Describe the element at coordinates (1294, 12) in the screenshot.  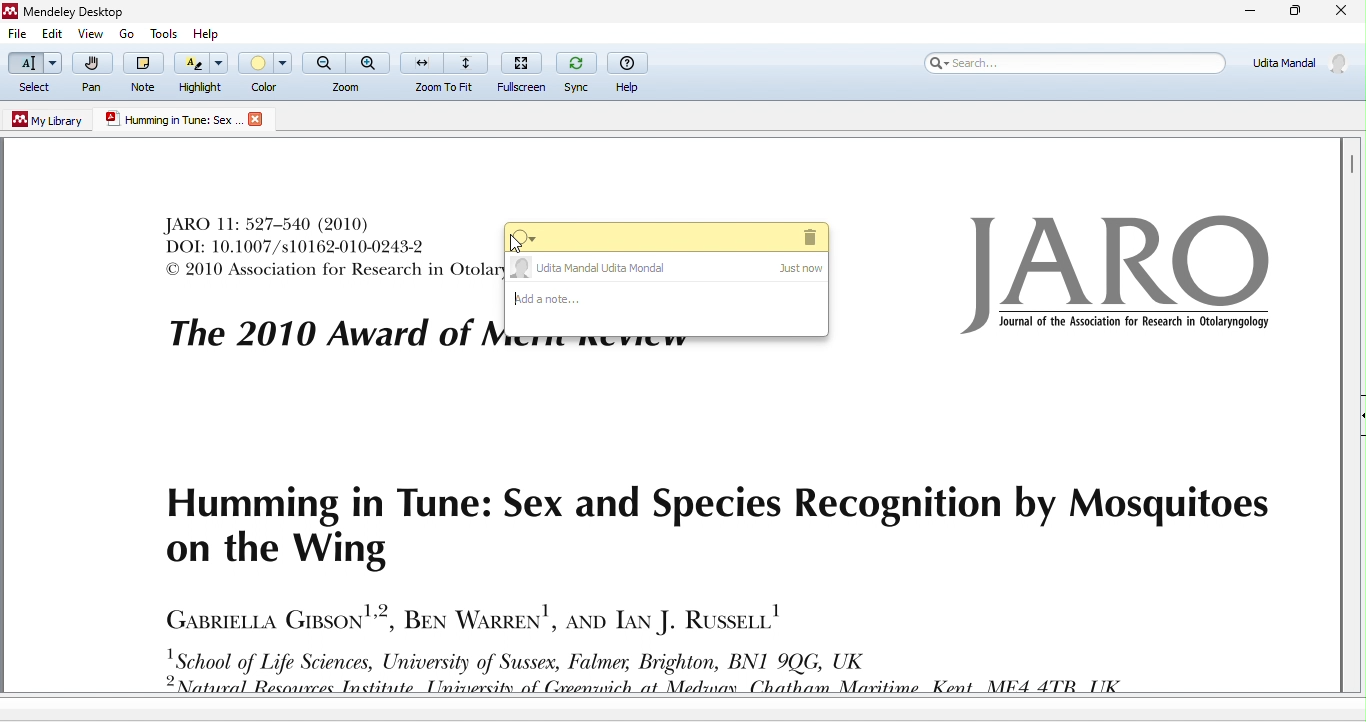
I see `maximize` at that location.